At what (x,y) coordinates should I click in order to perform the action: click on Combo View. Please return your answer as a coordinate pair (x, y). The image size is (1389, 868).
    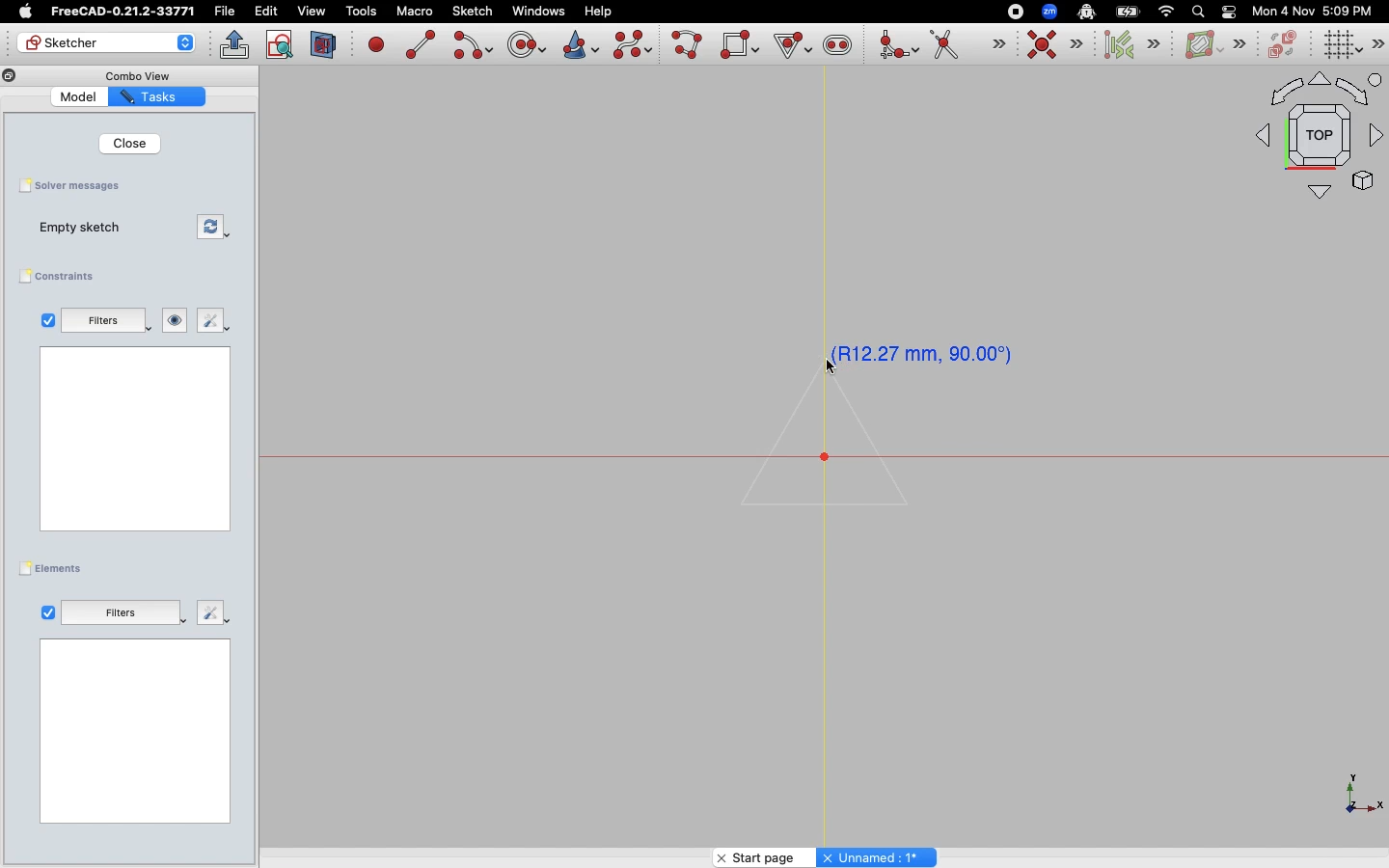
    Looking at the image, I should click on (137, 75).